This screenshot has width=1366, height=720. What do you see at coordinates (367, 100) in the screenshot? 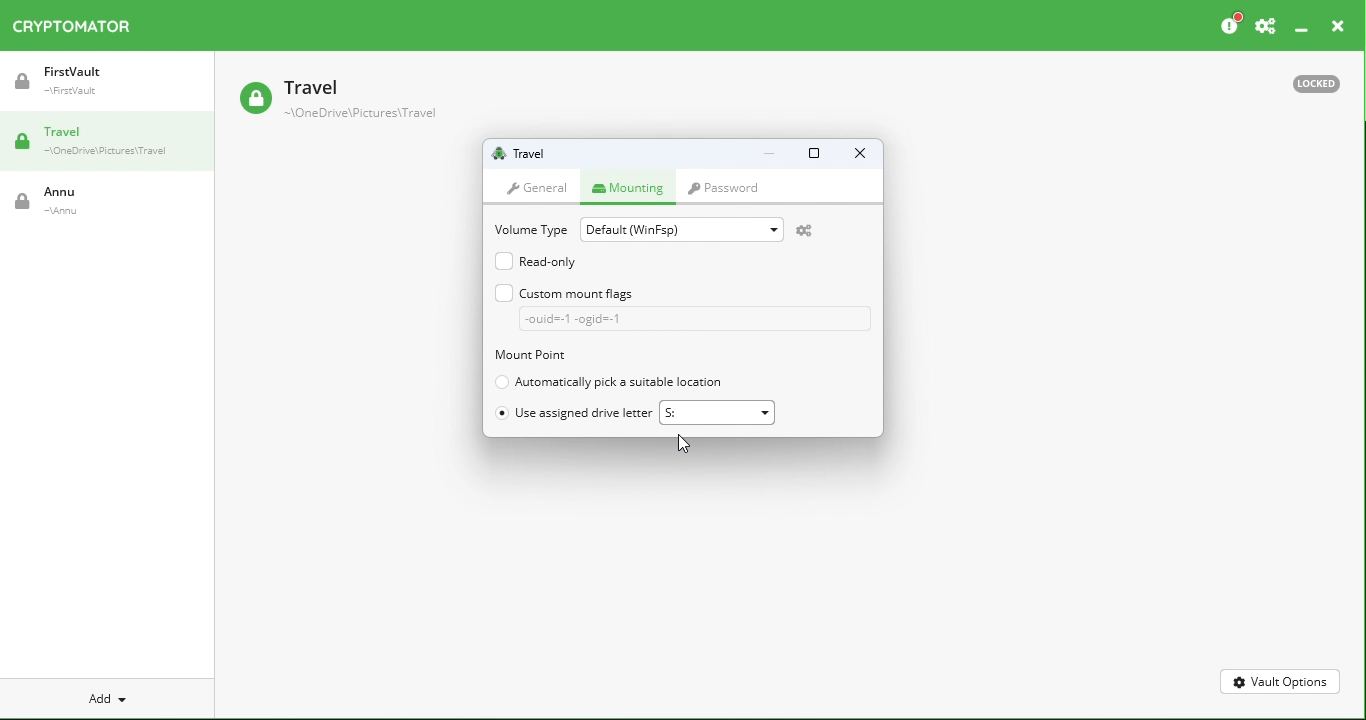
I see `Travel Vault` at bounding box center [367, 100].